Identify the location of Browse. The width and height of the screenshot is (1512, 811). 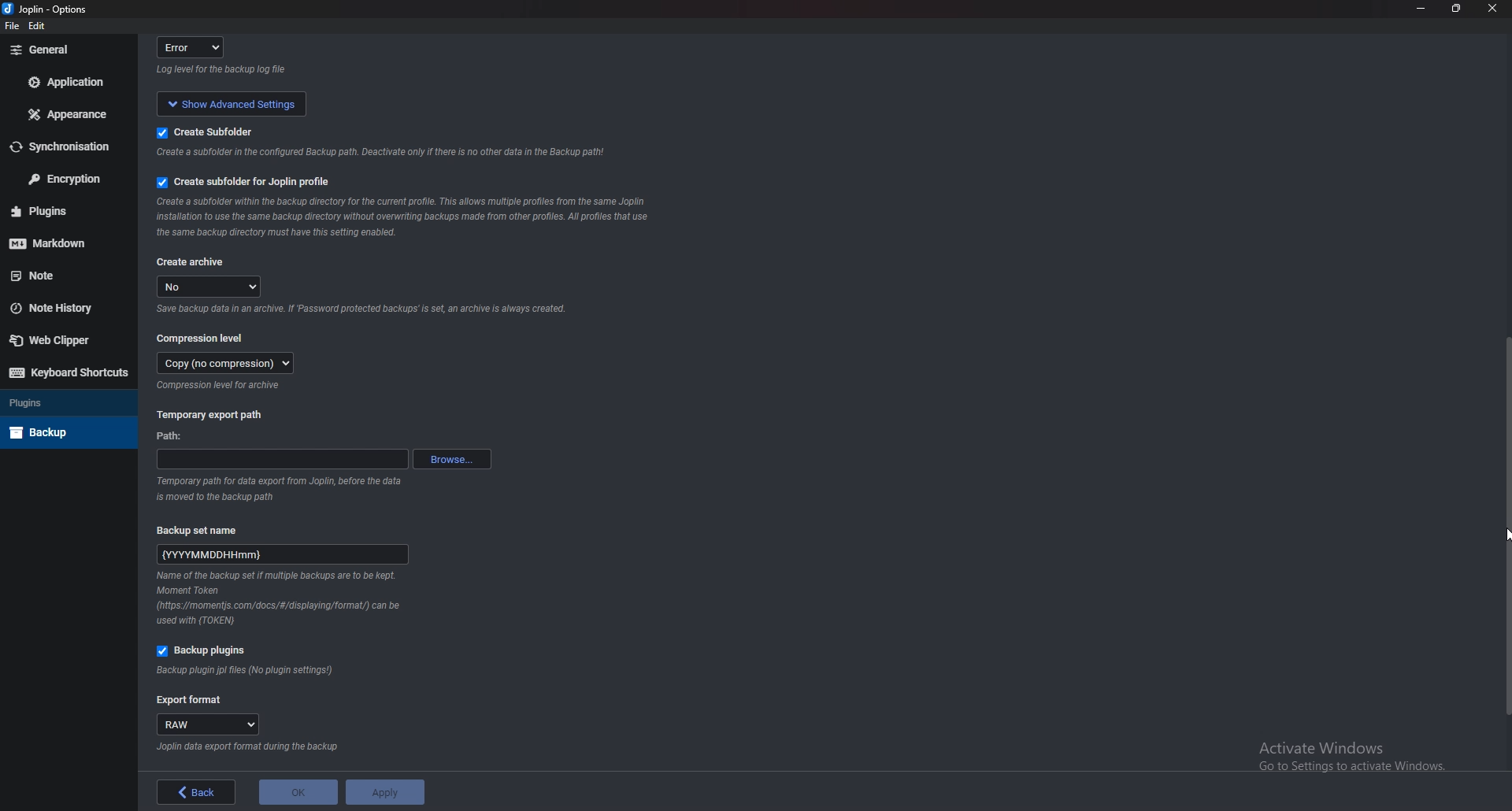
(452, 457).